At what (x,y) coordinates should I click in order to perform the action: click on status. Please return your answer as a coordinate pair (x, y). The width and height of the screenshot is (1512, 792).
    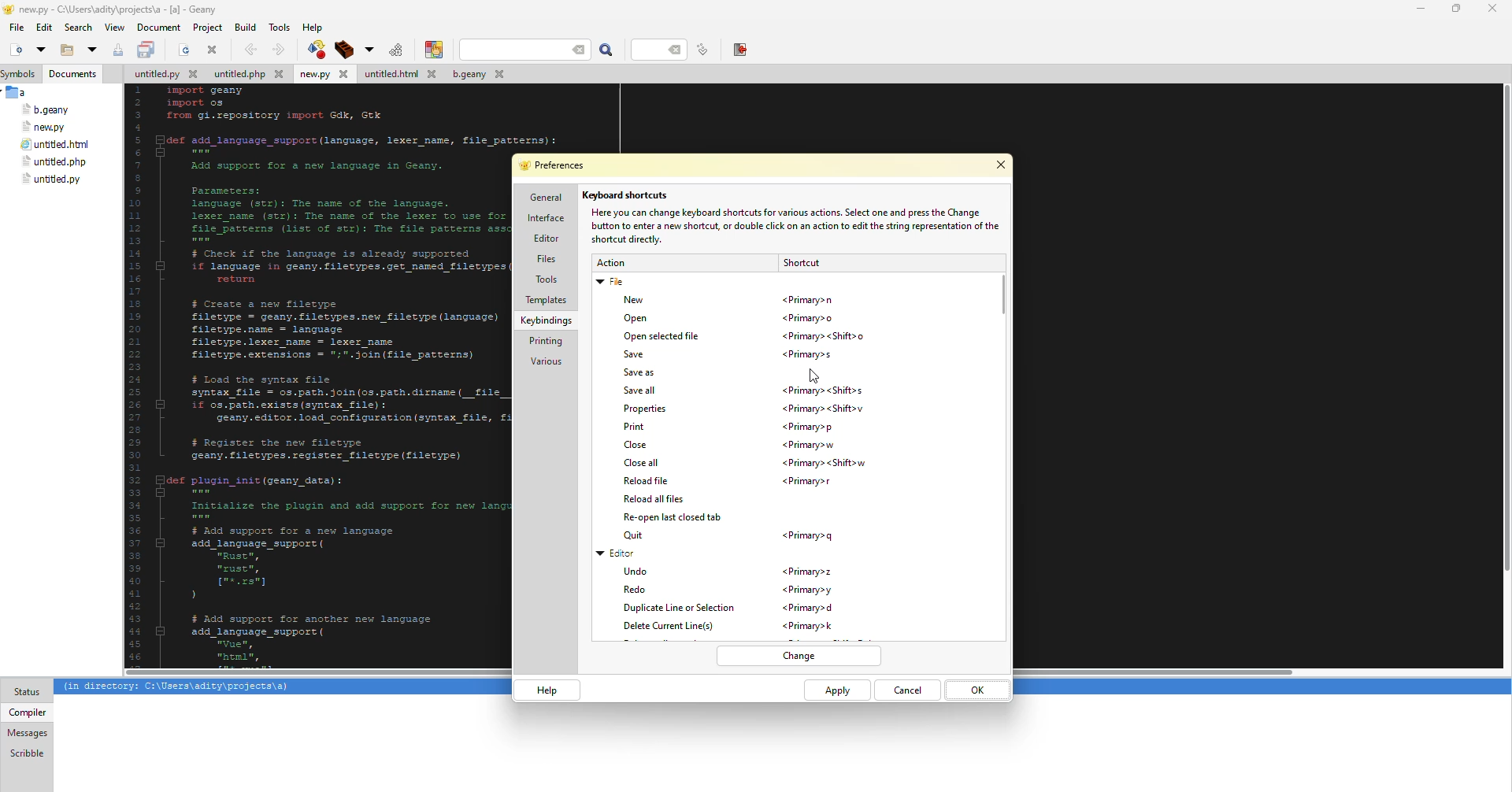
    Looking at the image, I should click on (27, 692).